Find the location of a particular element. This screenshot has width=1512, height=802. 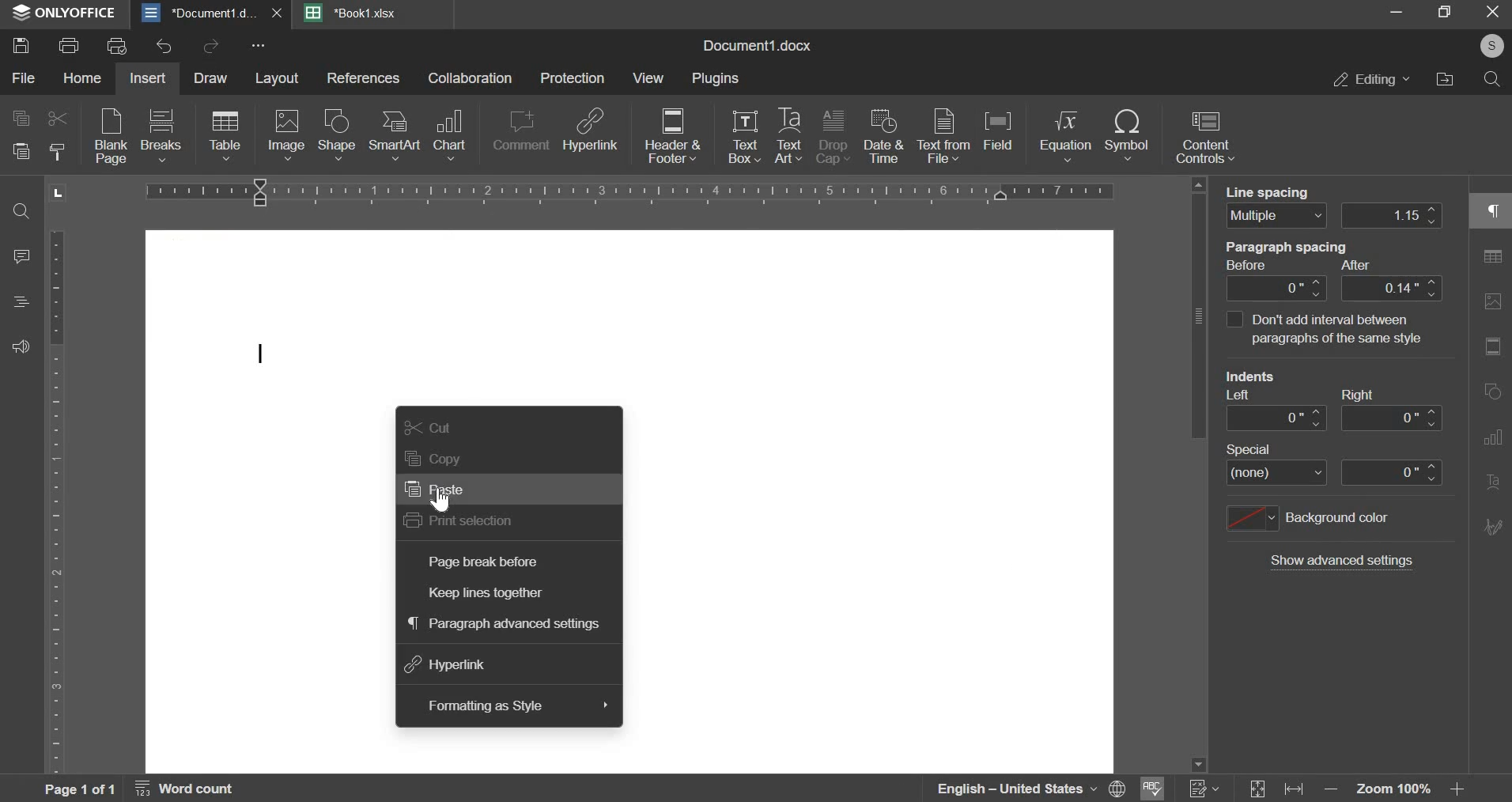

date & time is located at coordinates (885, 138).